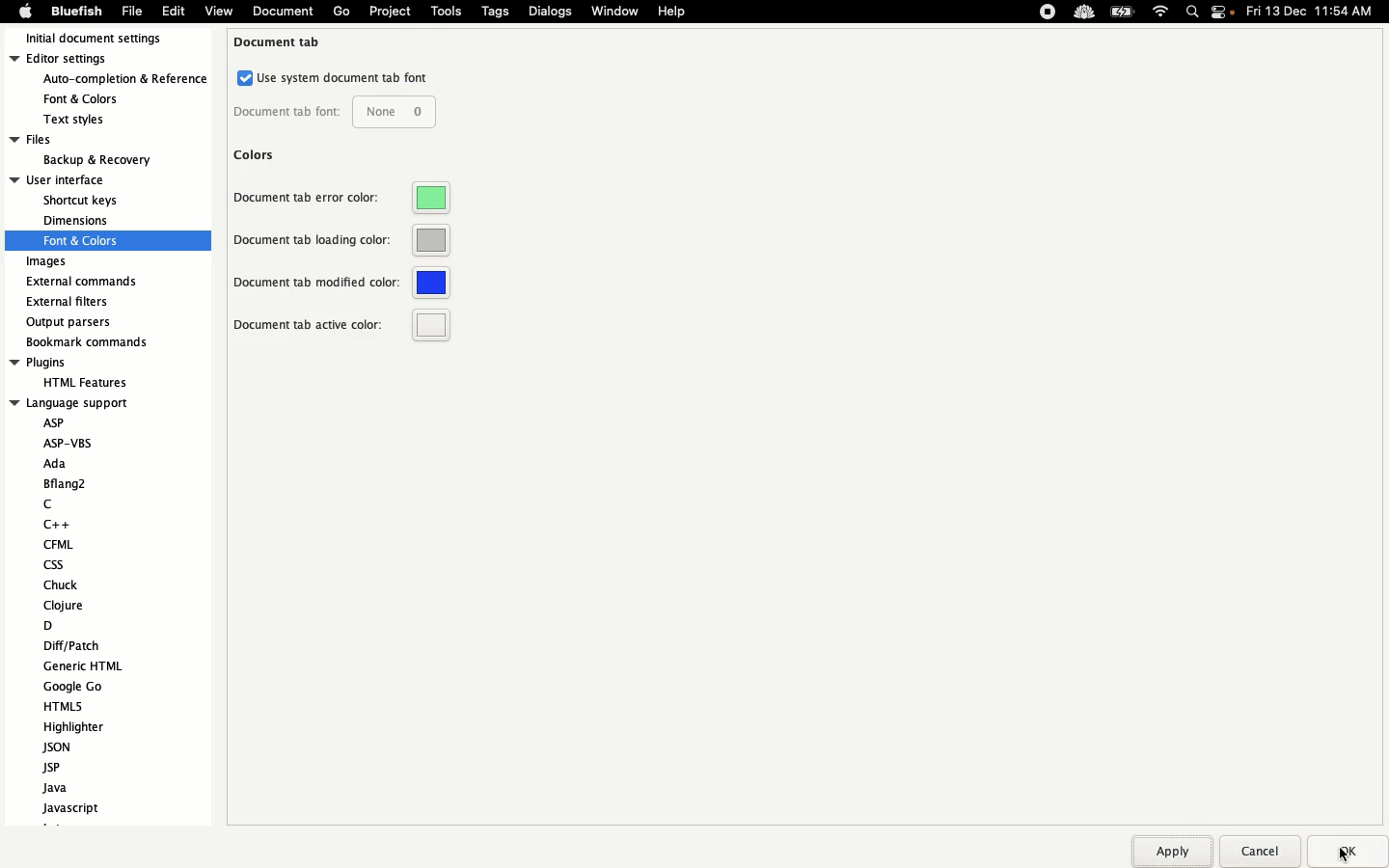  Describe the element at coordinates (447, 11) in the screenshot. I see `Tools` at that location.